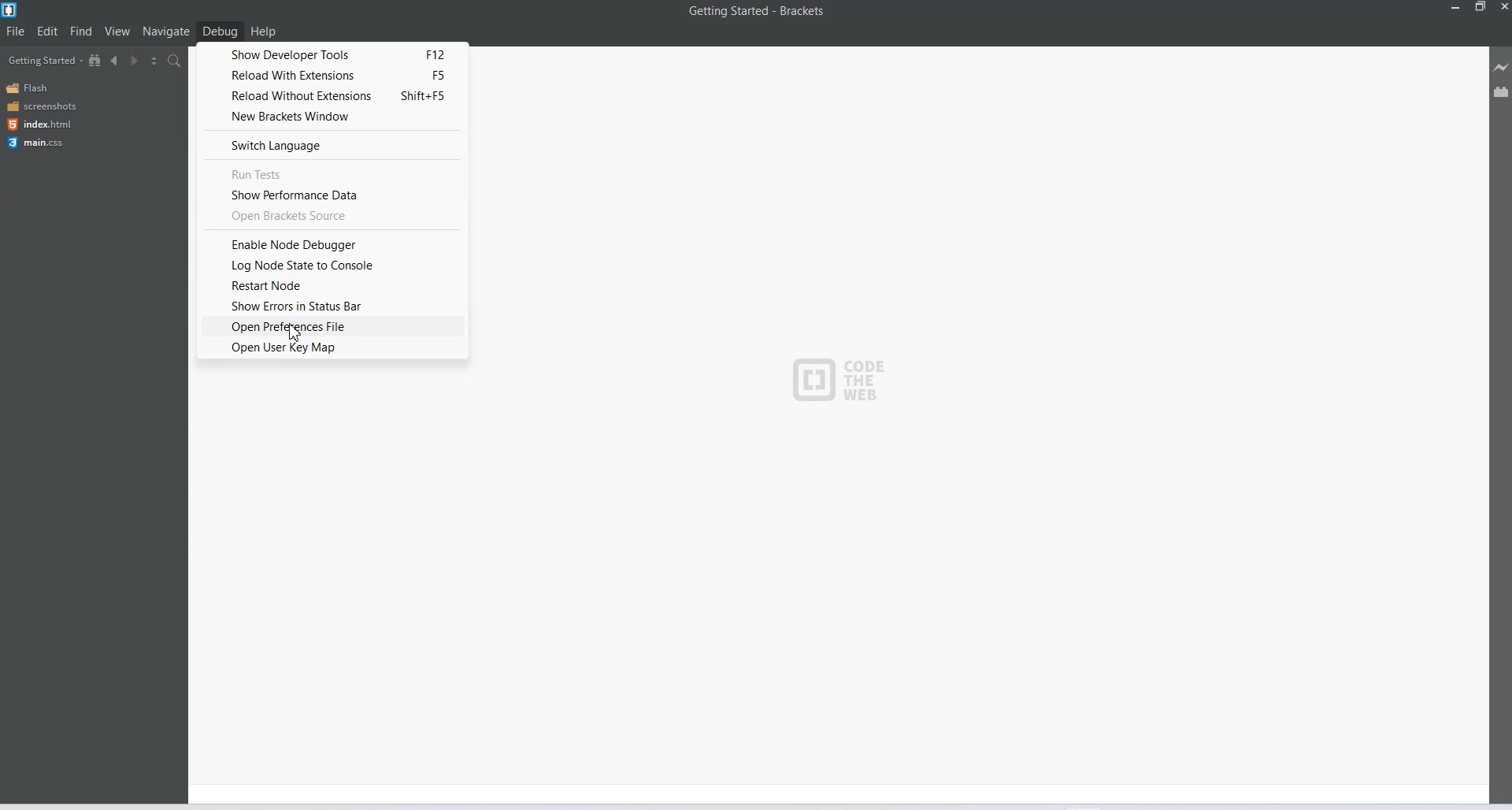 This screenshot has height=810, width=1512. What do you see at coordinates (335, 173) in the screenshot?
I see `Run tests` at bounding box center [335, 173].